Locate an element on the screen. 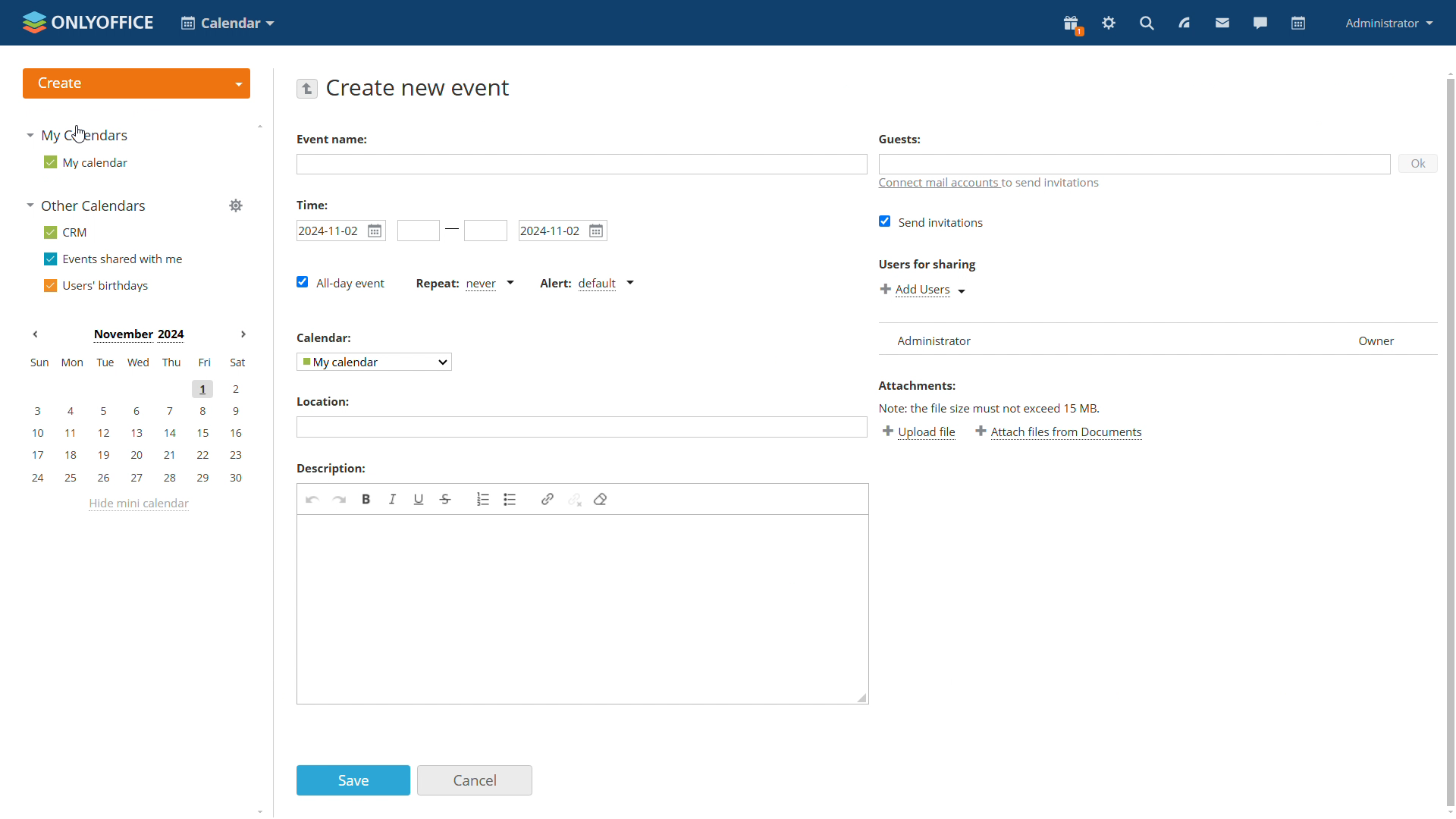 This screenshot has height=819, width=1456. other calendars is located at coordinates (90, 206).